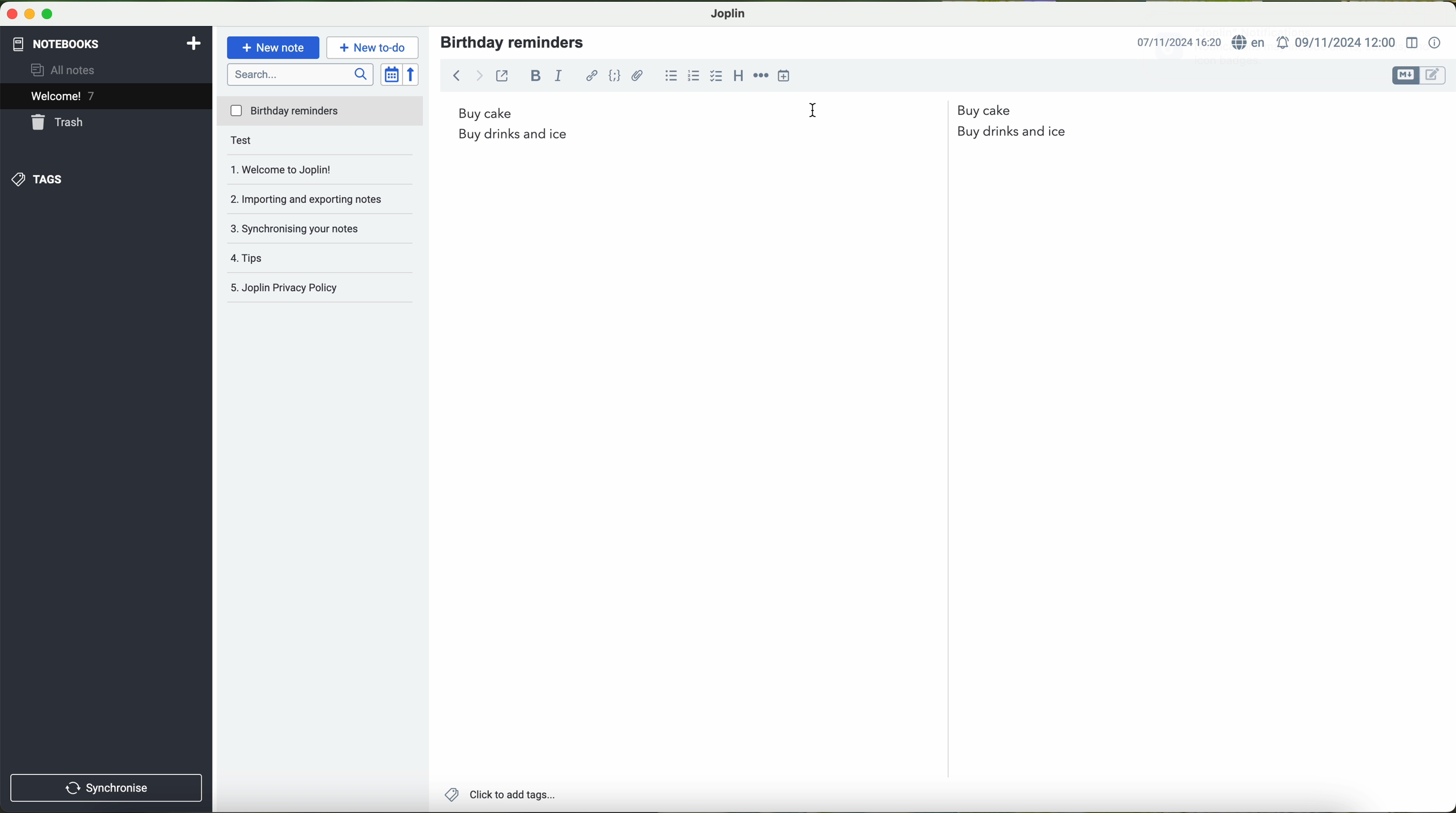  I want to click on all notes, so click(75, 71).